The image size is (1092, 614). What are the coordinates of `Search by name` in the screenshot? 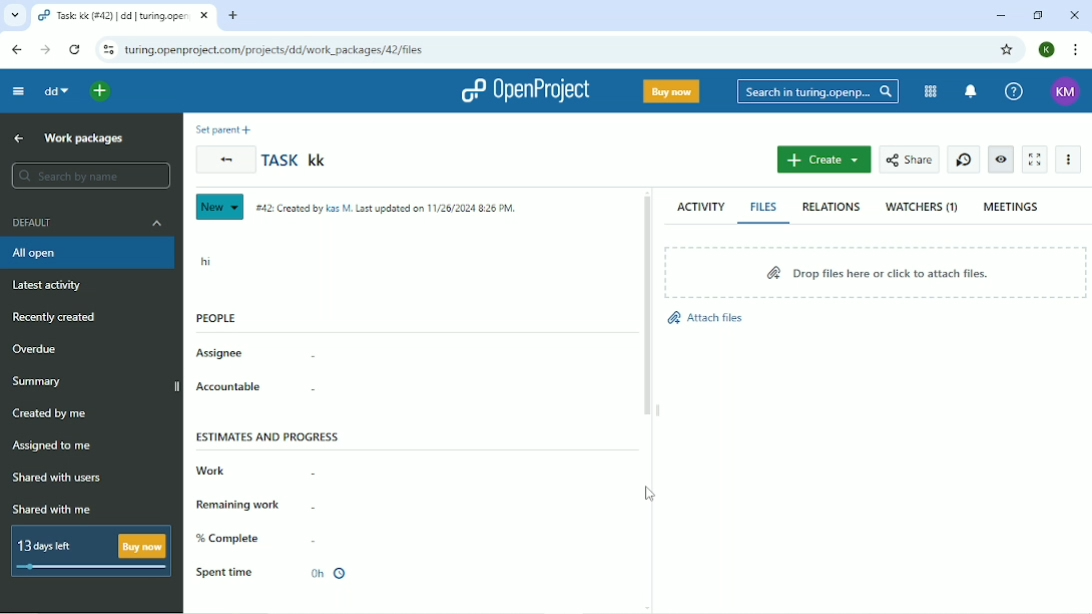 It's located at (87, 176).